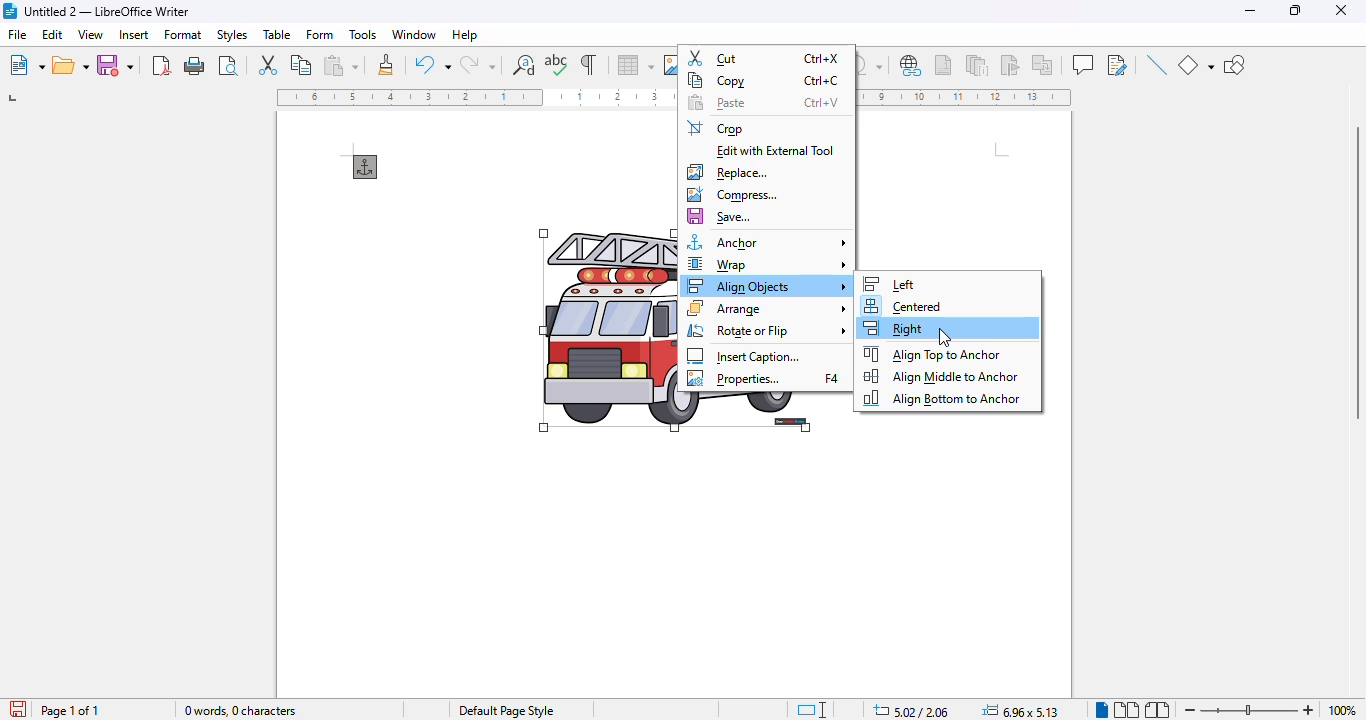 The width and height of the screenshot is (1366, 720). I want to click on minimize, so click(1251, 10).